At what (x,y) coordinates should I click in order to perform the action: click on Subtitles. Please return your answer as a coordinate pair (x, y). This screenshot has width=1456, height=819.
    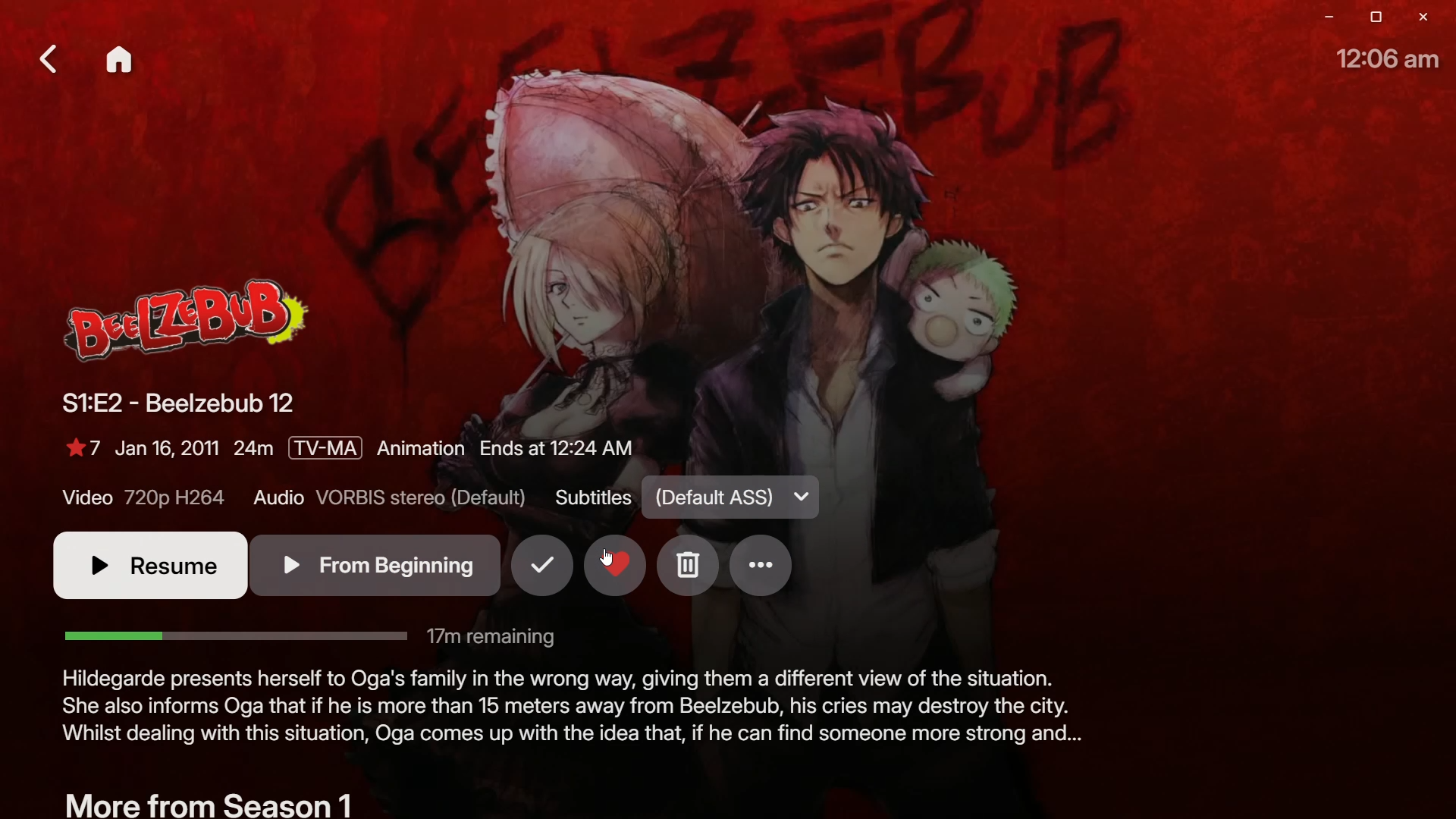
    Looking at the image, I should click on (687, 500).